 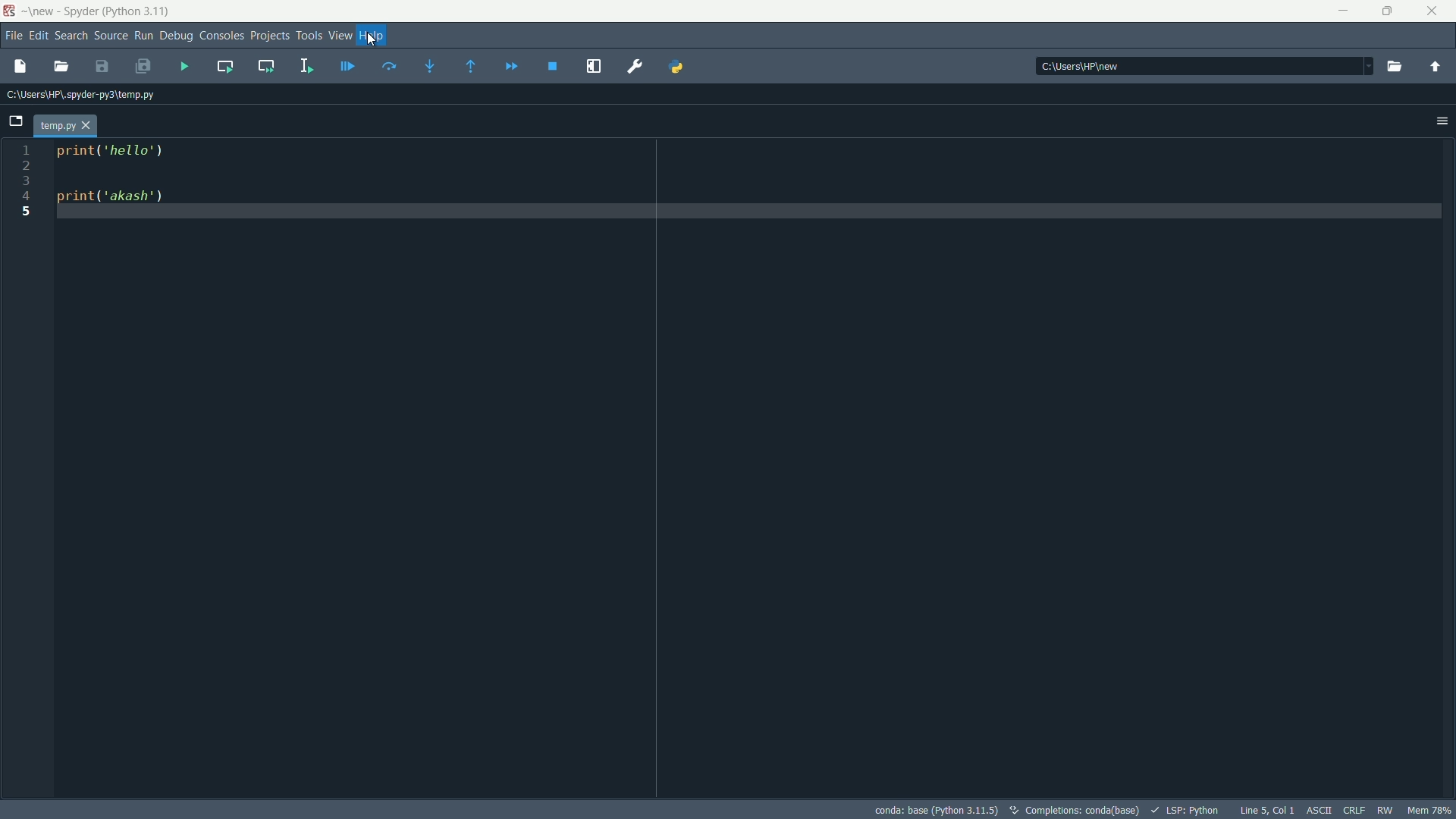 What do you see at coordinates (27, 184) in the screenshot?
I see `line number` at bounding box center [27, 184].